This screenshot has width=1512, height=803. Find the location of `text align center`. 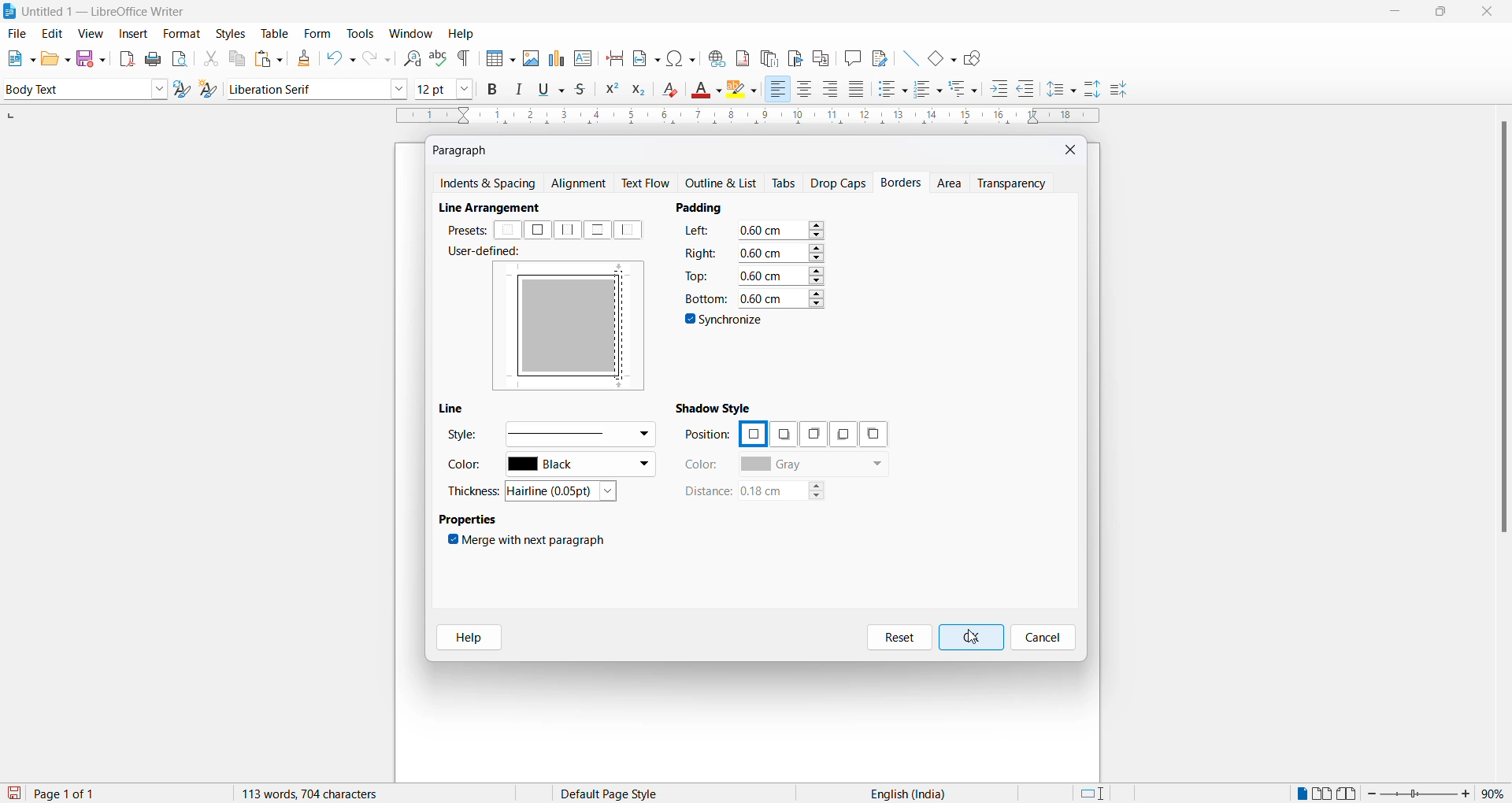

text align center is located at coordinates (805, 90).